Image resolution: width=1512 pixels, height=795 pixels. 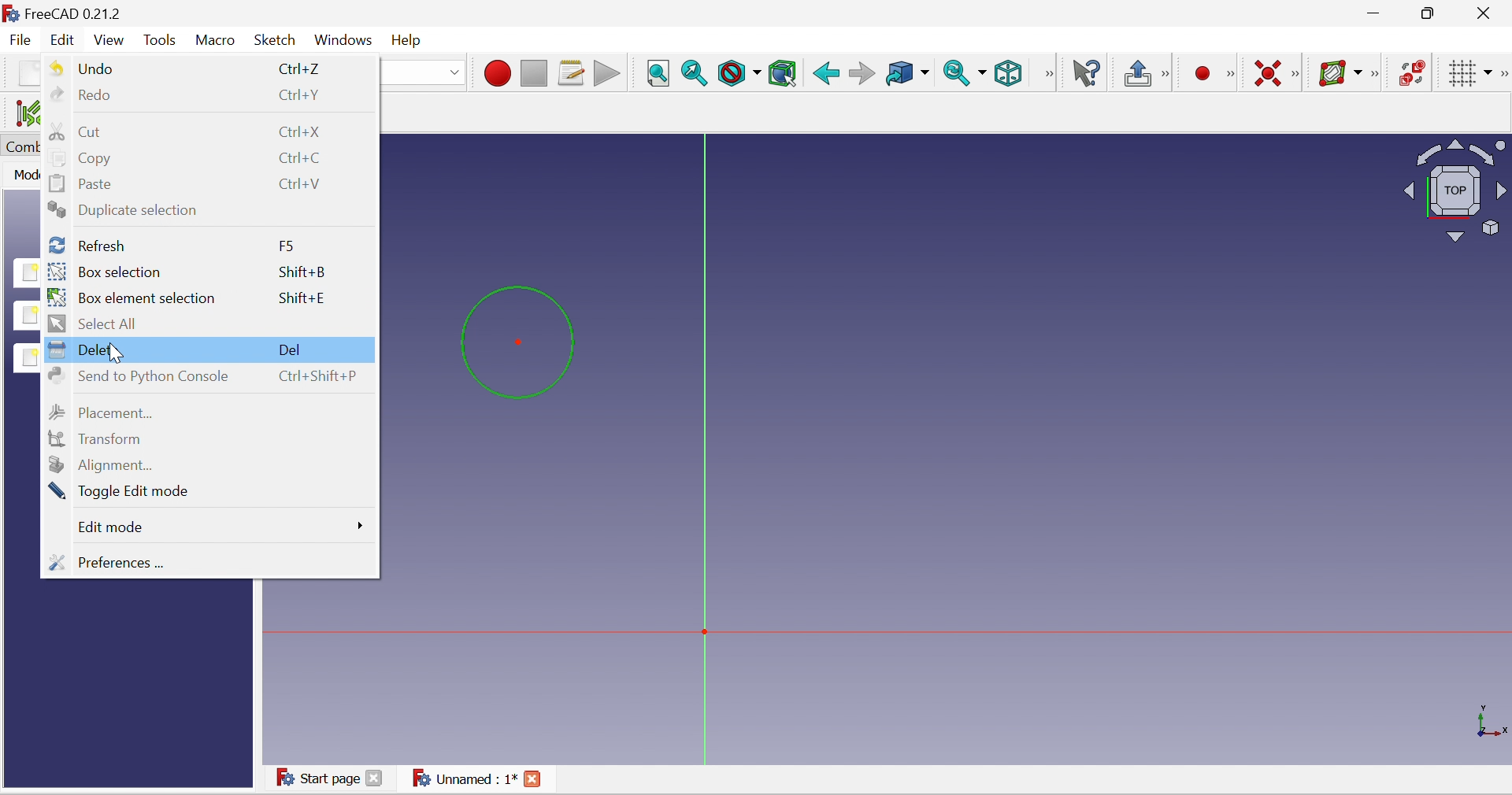 I want to click on F5, so click(x=287, y=246).